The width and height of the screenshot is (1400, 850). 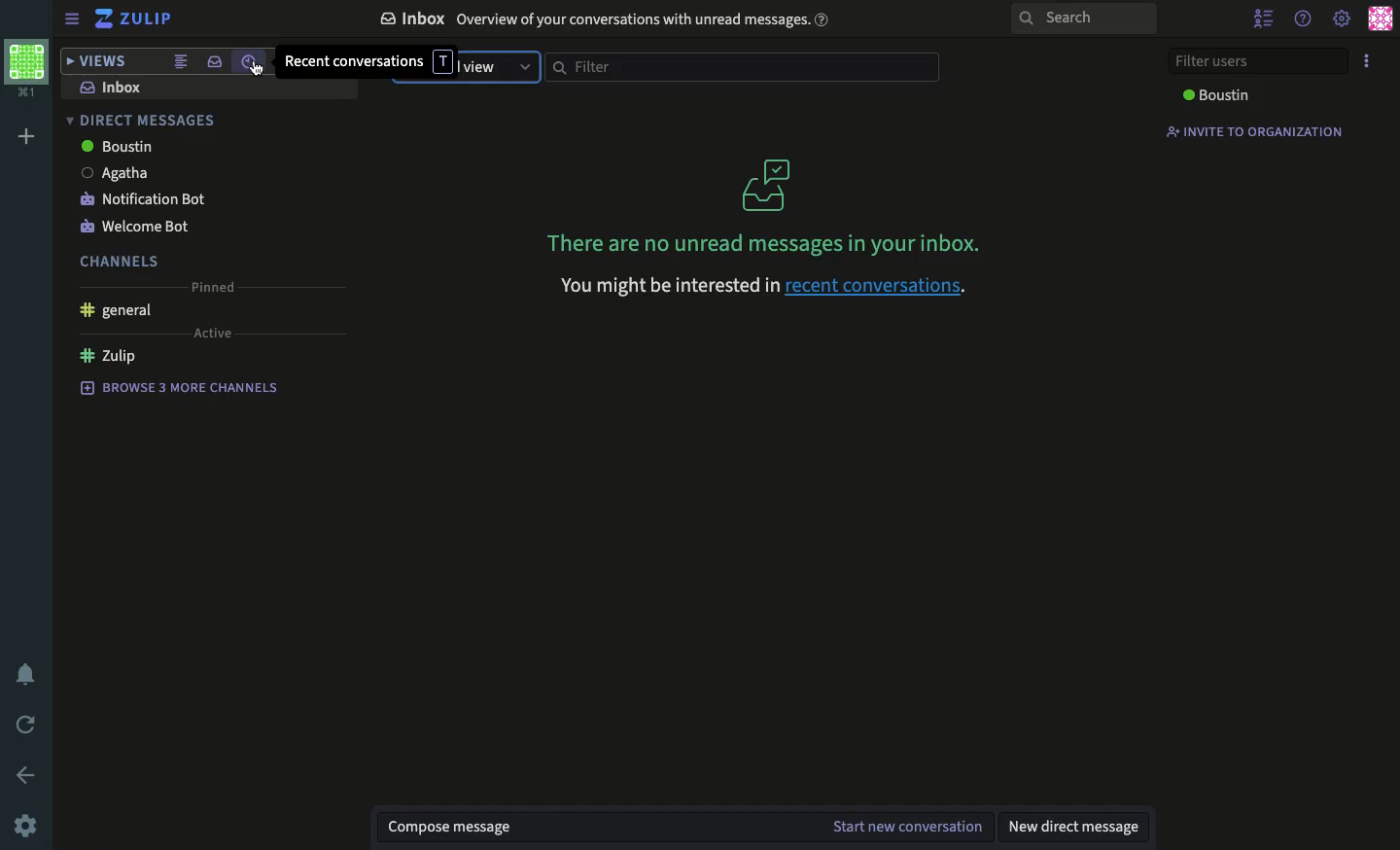 What do you see at coordinates (27, 133) in the screenshot?
I see `add workspace` at bounding box center [27, 133].